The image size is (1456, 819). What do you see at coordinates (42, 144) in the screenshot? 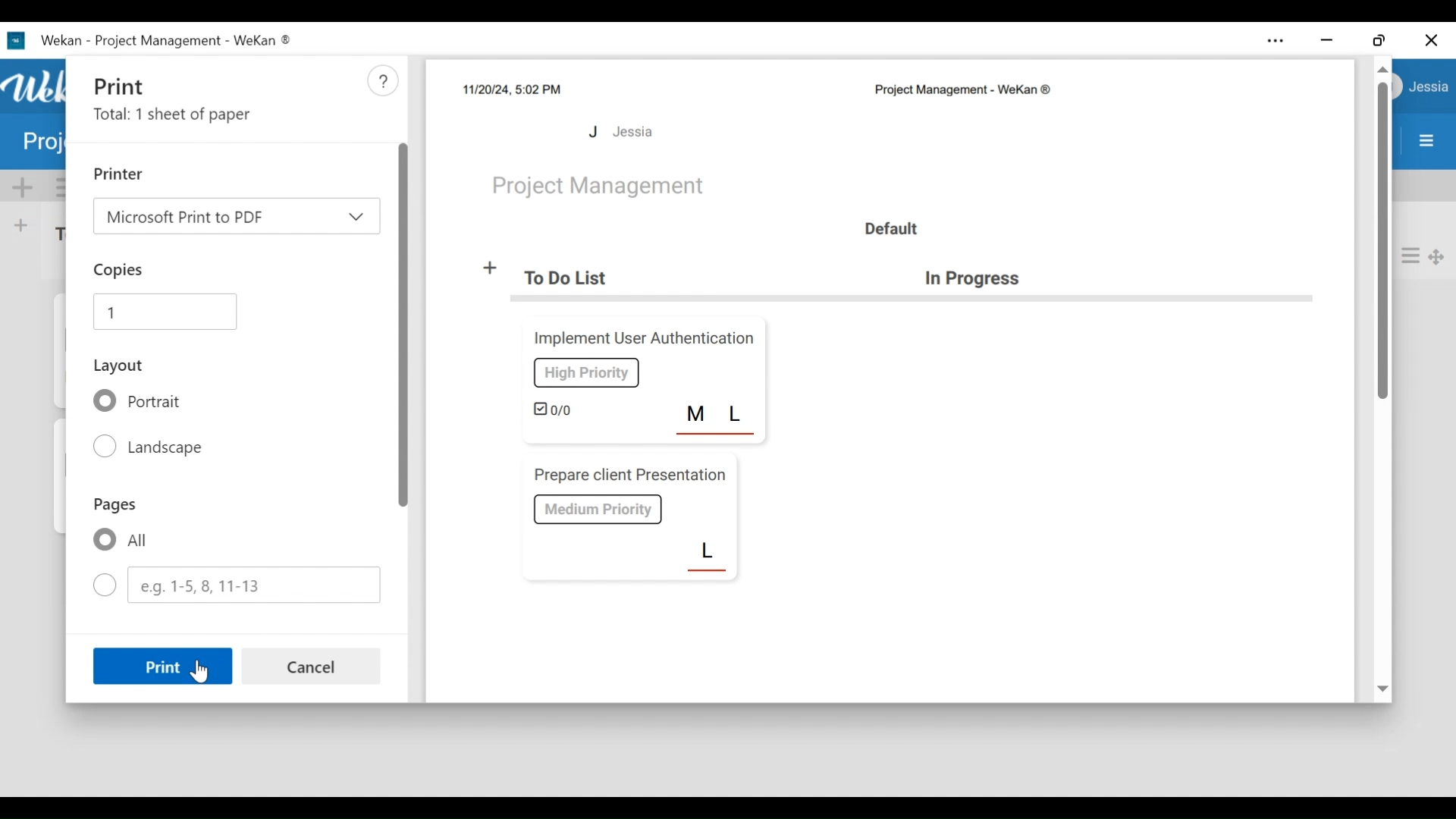
I see `Board Name` at bounding box center [42, 144].